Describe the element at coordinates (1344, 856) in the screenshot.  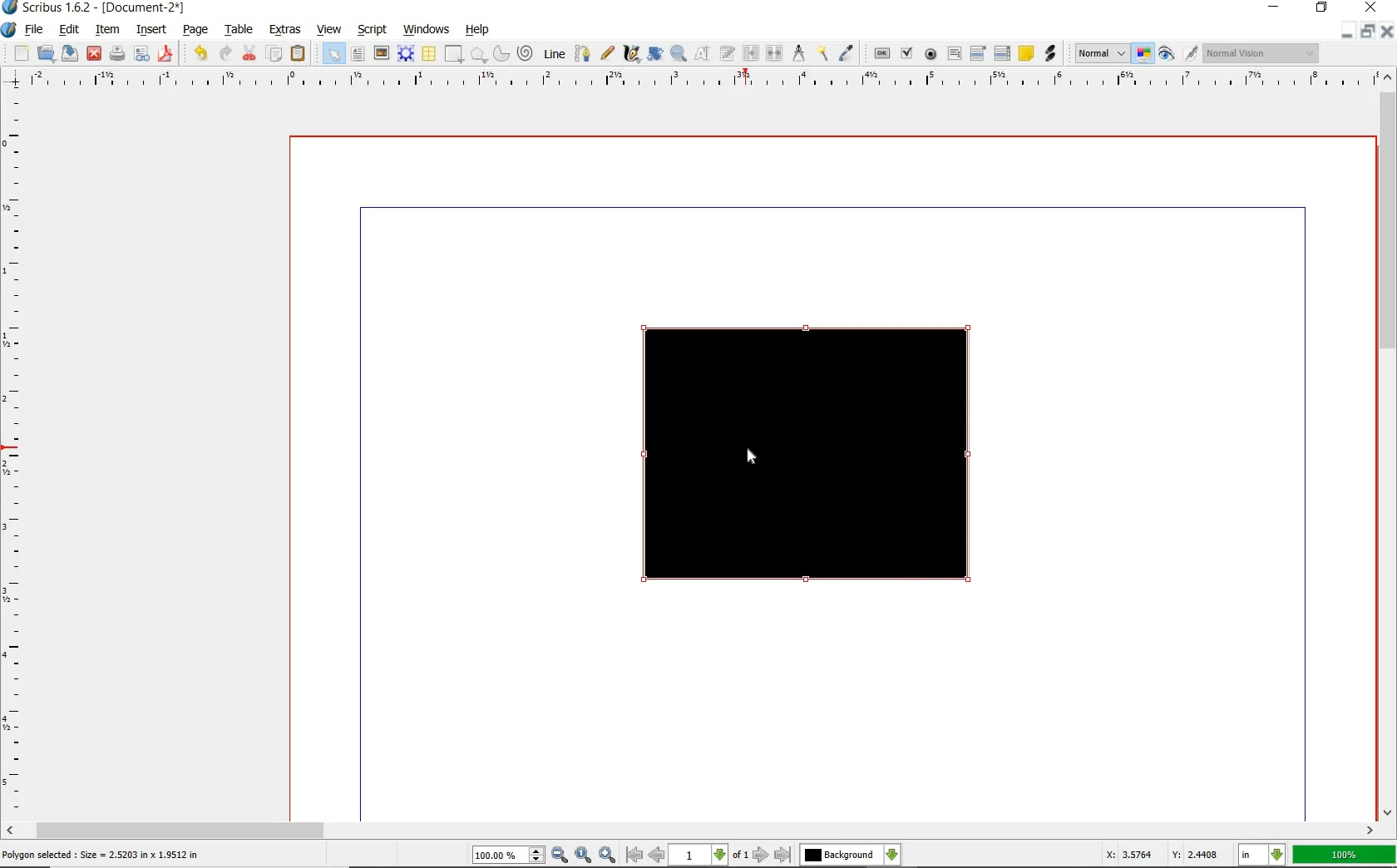
I see `100%` at that location.